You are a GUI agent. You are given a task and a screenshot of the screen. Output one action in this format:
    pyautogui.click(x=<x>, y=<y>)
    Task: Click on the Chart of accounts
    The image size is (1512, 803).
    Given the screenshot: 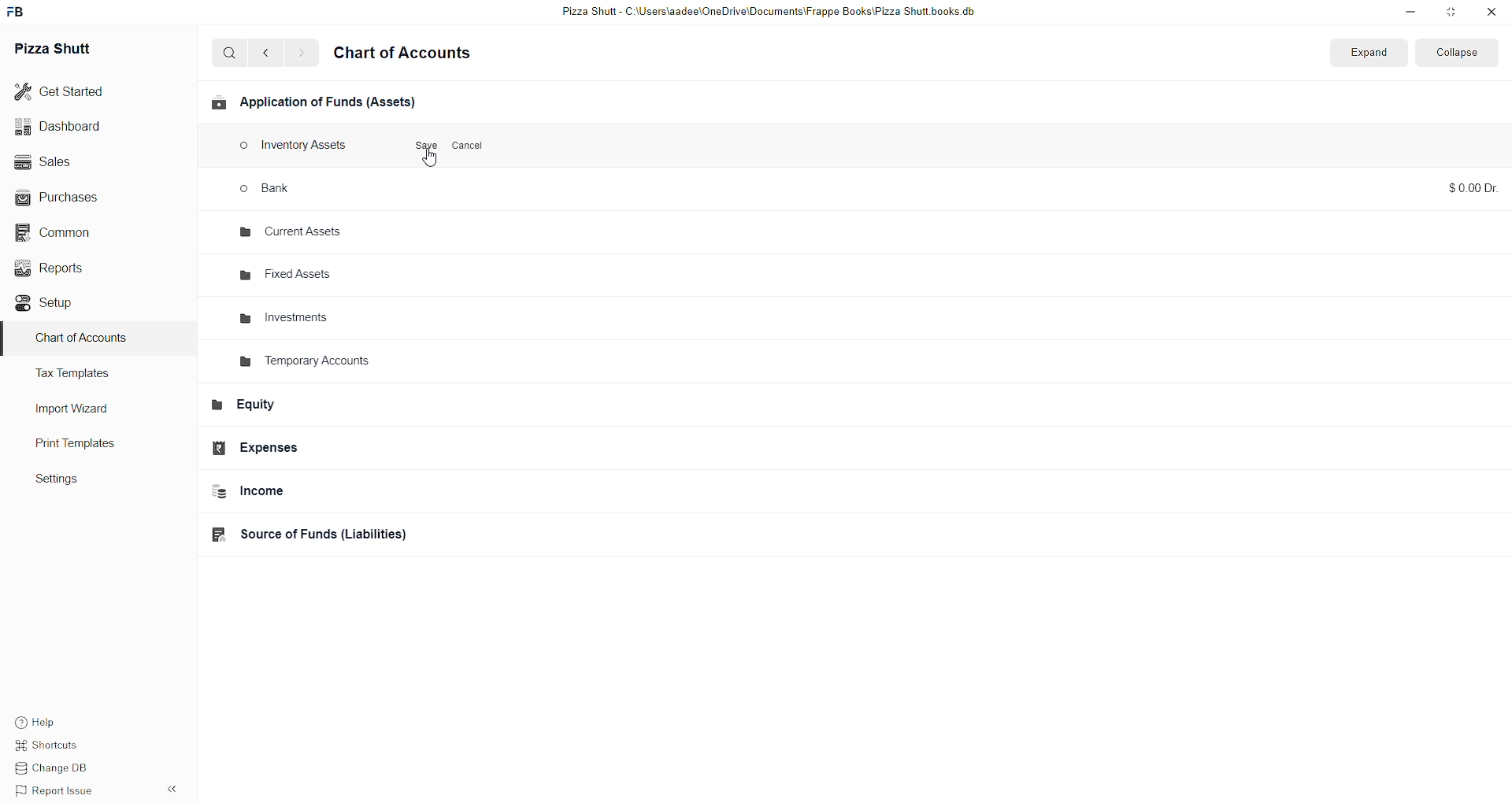 What is the action you would take?
    pyautogui.click(x=413, y=55)
    